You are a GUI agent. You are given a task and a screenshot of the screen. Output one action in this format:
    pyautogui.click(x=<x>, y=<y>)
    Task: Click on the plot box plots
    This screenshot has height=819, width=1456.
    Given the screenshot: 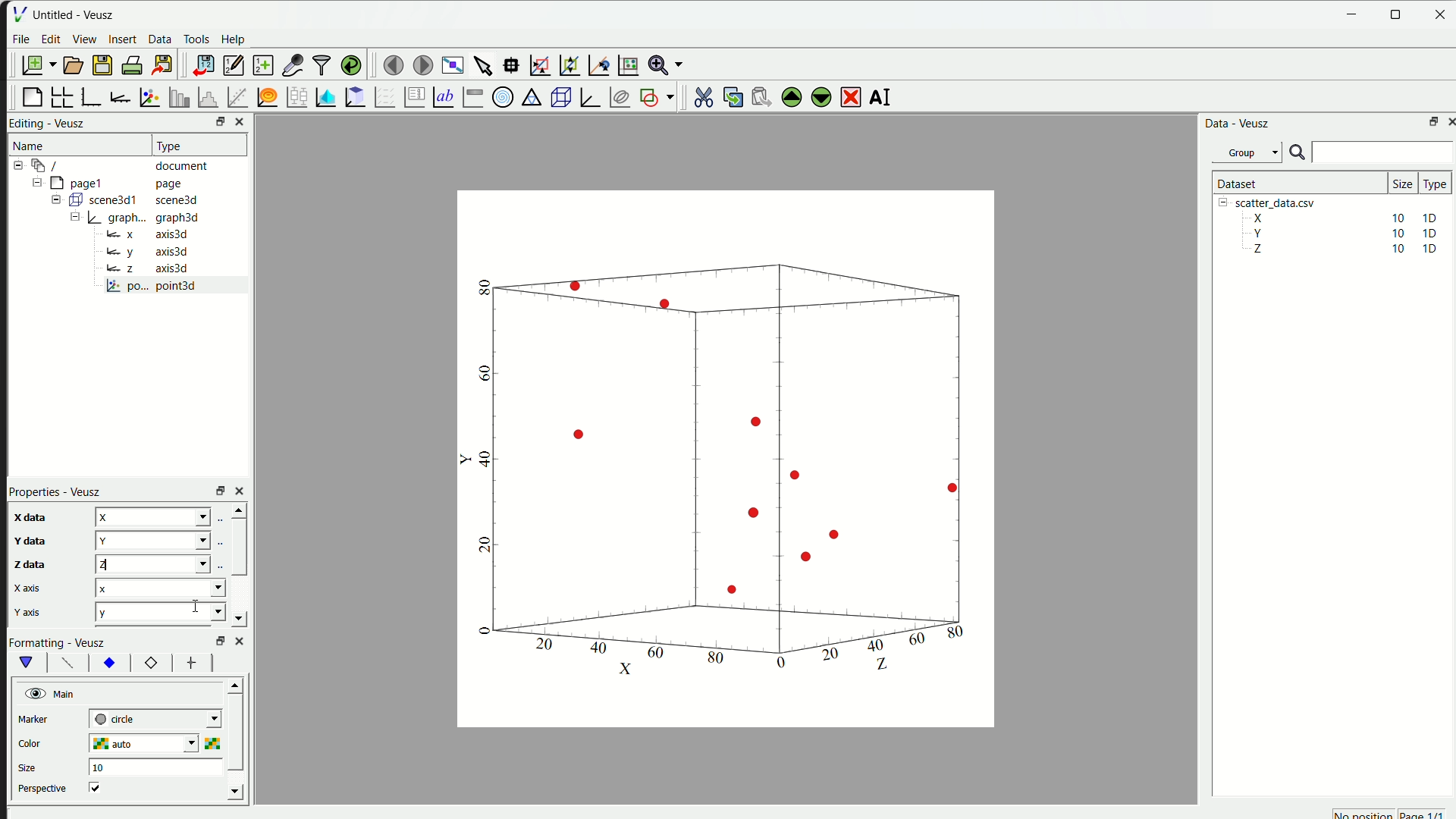 What is the action you would take?
    pyautogui.click(x=293, y=98)
    